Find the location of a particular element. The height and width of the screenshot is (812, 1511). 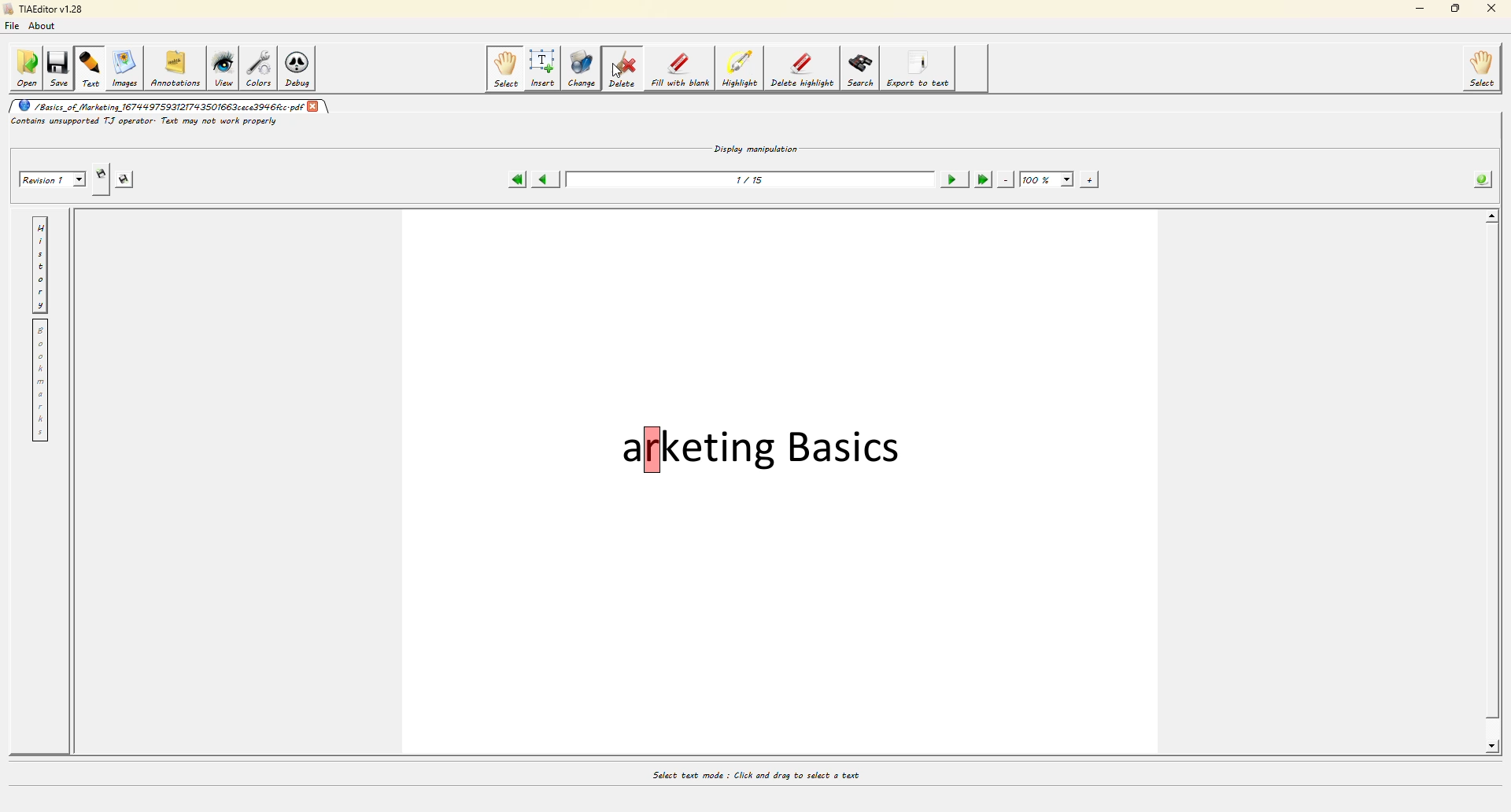

minimize is located at coordinates (1417, 10).